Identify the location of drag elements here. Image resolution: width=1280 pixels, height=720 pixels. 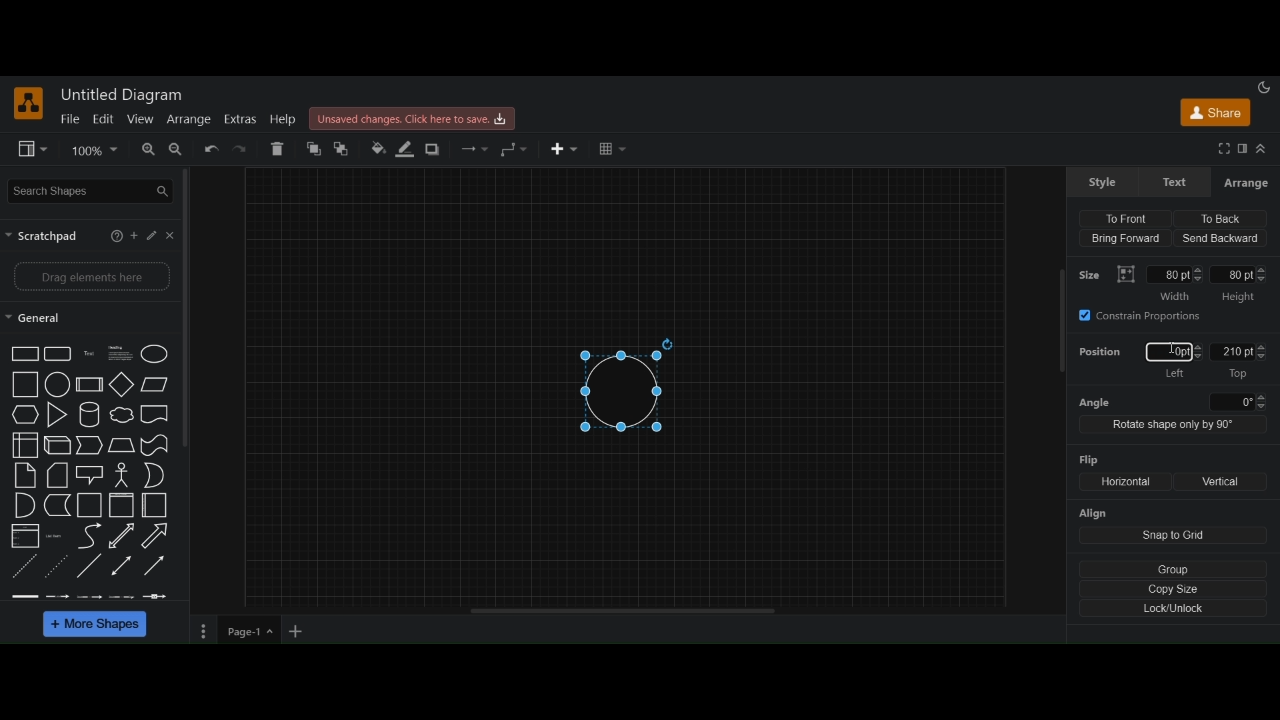
(92, 278).